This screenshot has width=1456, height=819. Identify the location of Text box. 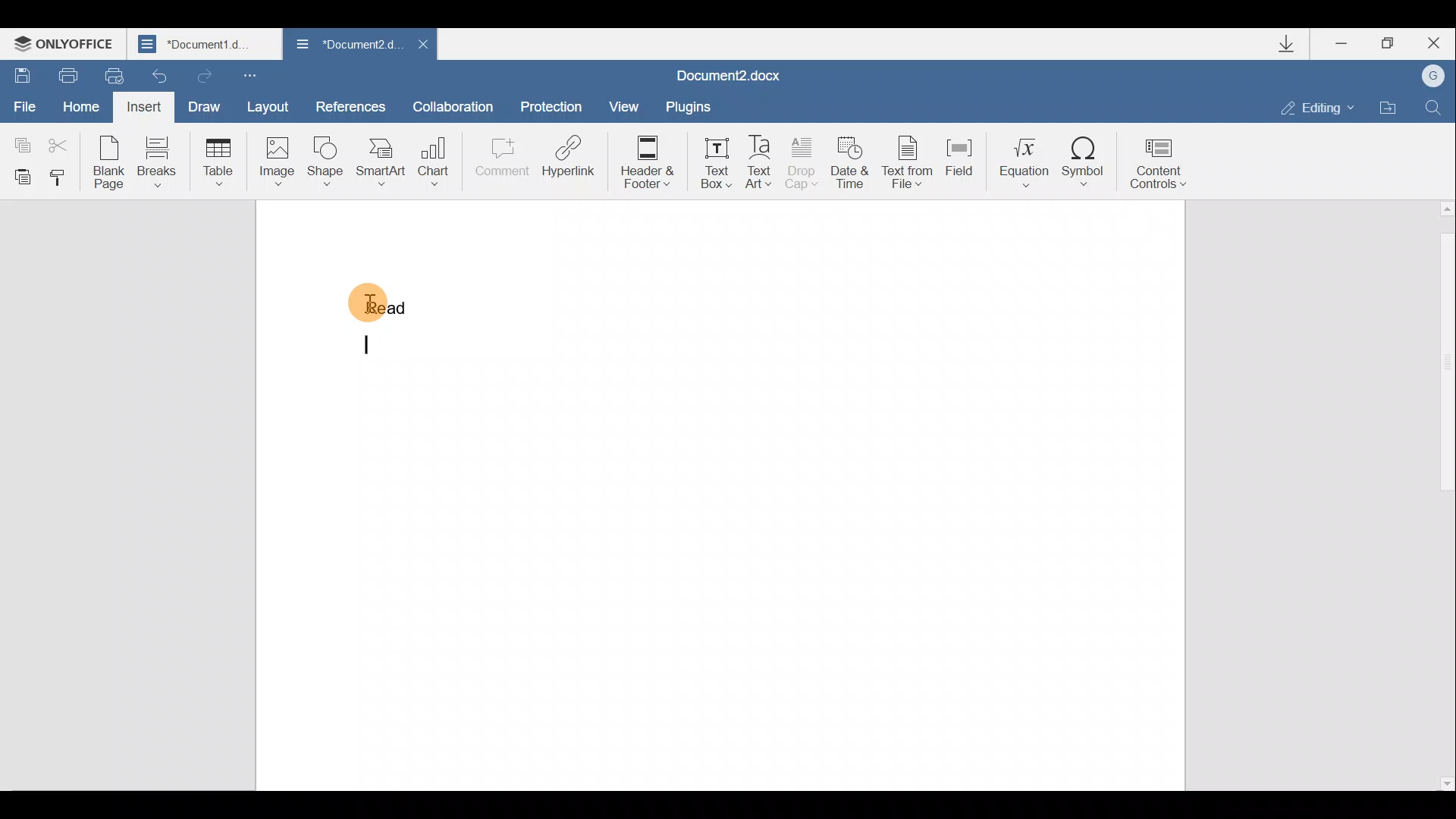
(716, 162).